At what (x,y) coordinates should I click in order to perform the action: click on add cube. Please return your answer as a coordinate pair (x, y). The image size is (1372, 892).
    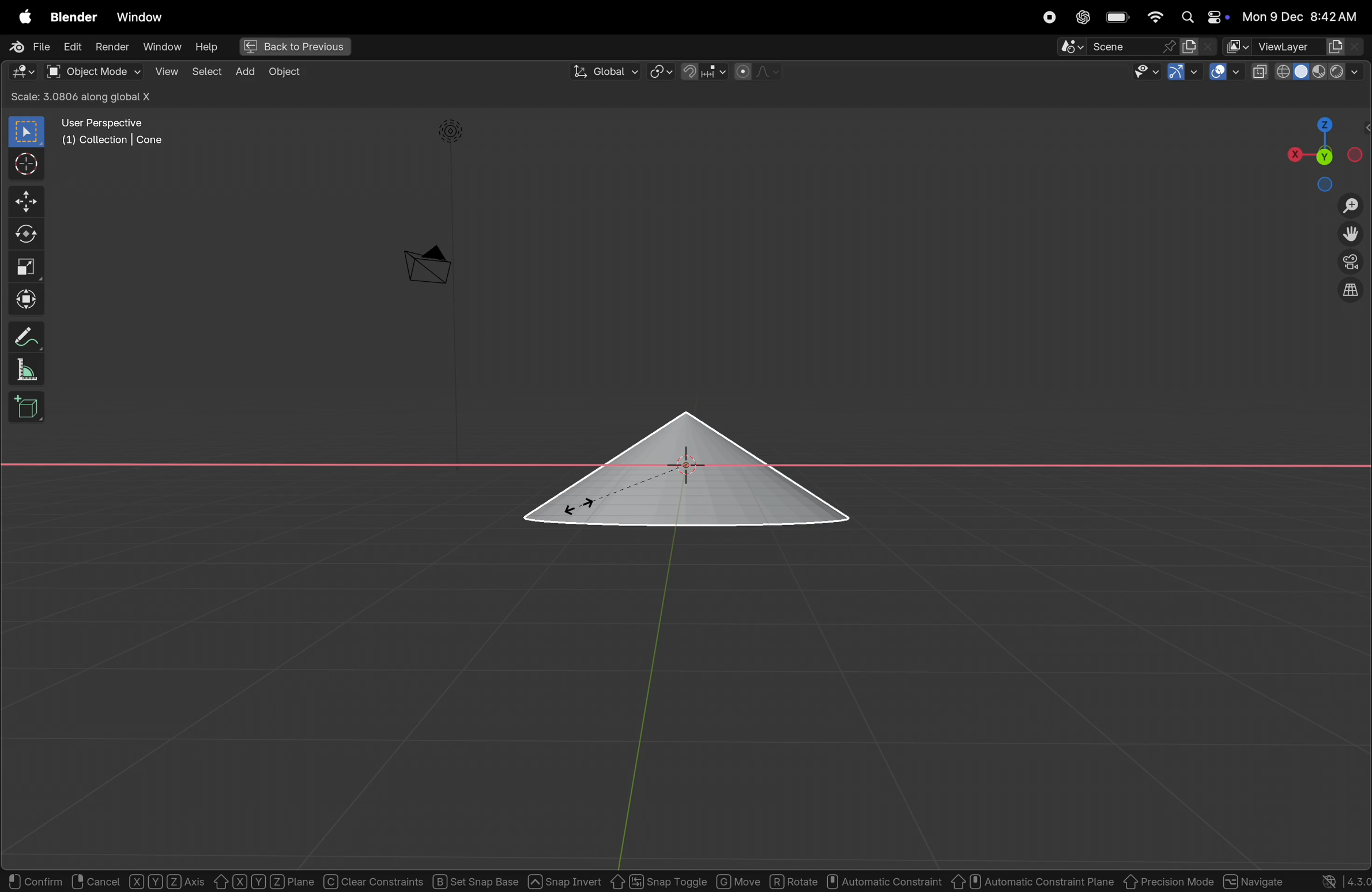
    Looking at the image, I should click on (24, 407).